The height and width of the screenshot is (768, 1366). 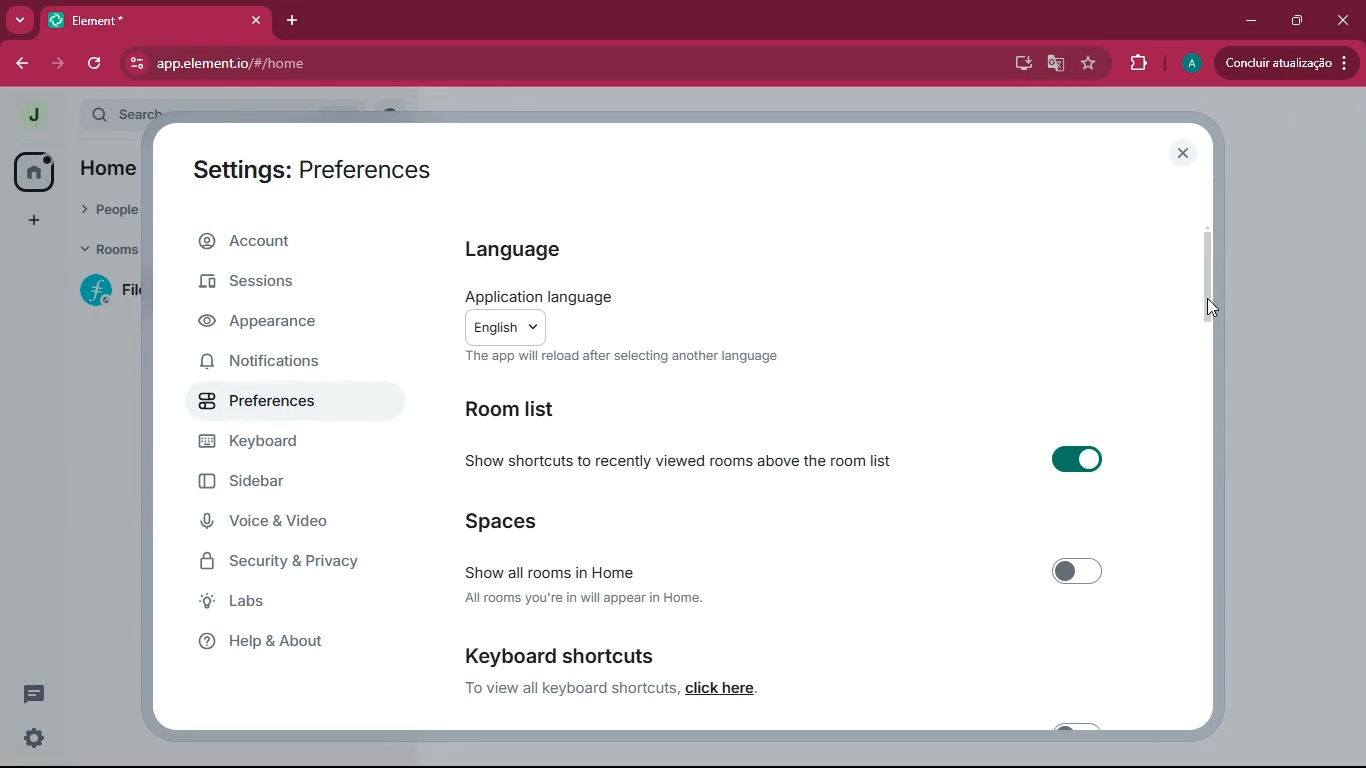 I want to click on refresh, so click(x=102, y=63).